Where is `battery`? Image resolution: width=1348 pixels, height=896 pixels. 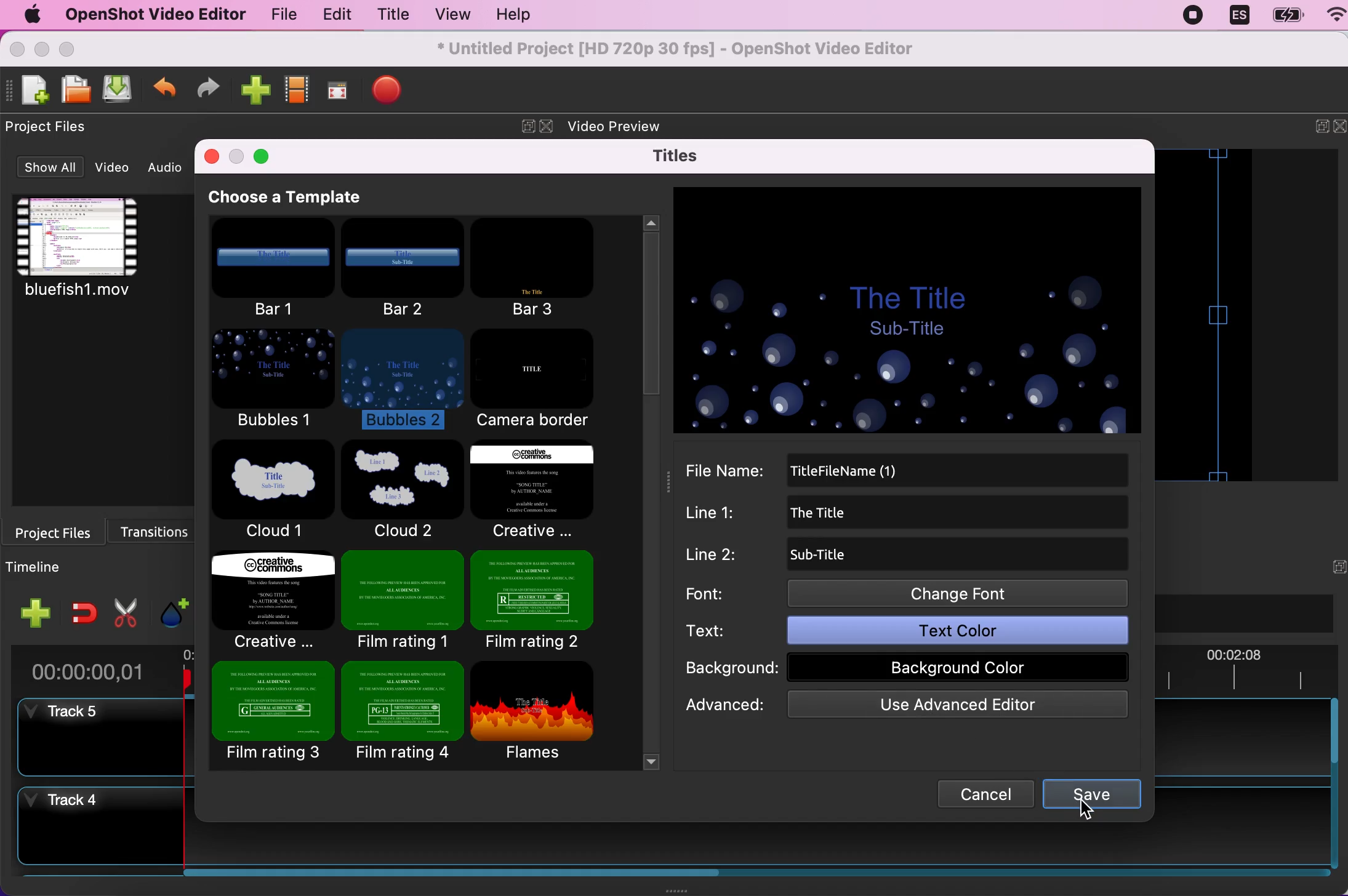 battery is located at coordinates (1283, 16).